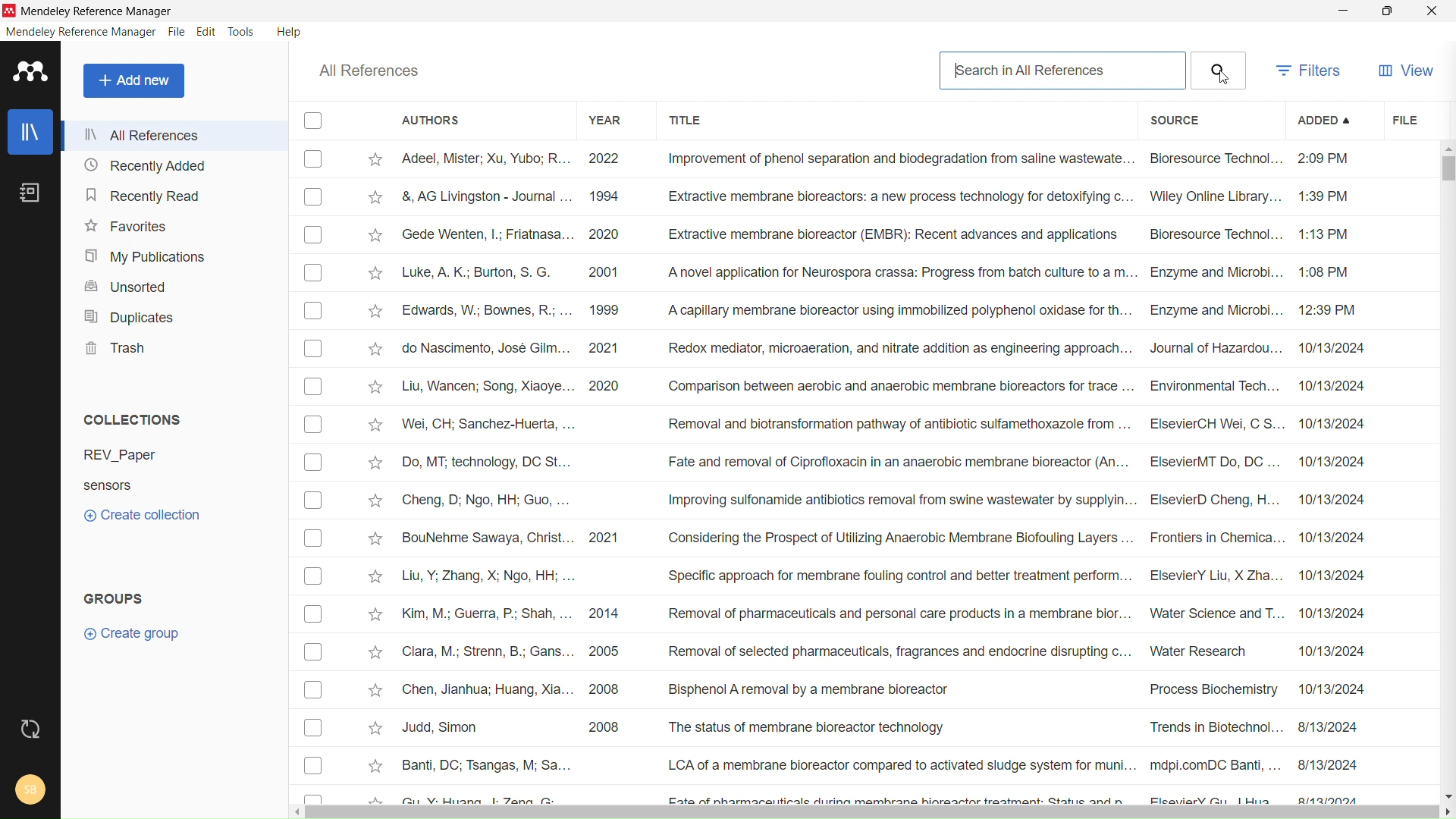 This screenshot has width=1456, height=819. I want to click on Checkbox, so click(315, 159).